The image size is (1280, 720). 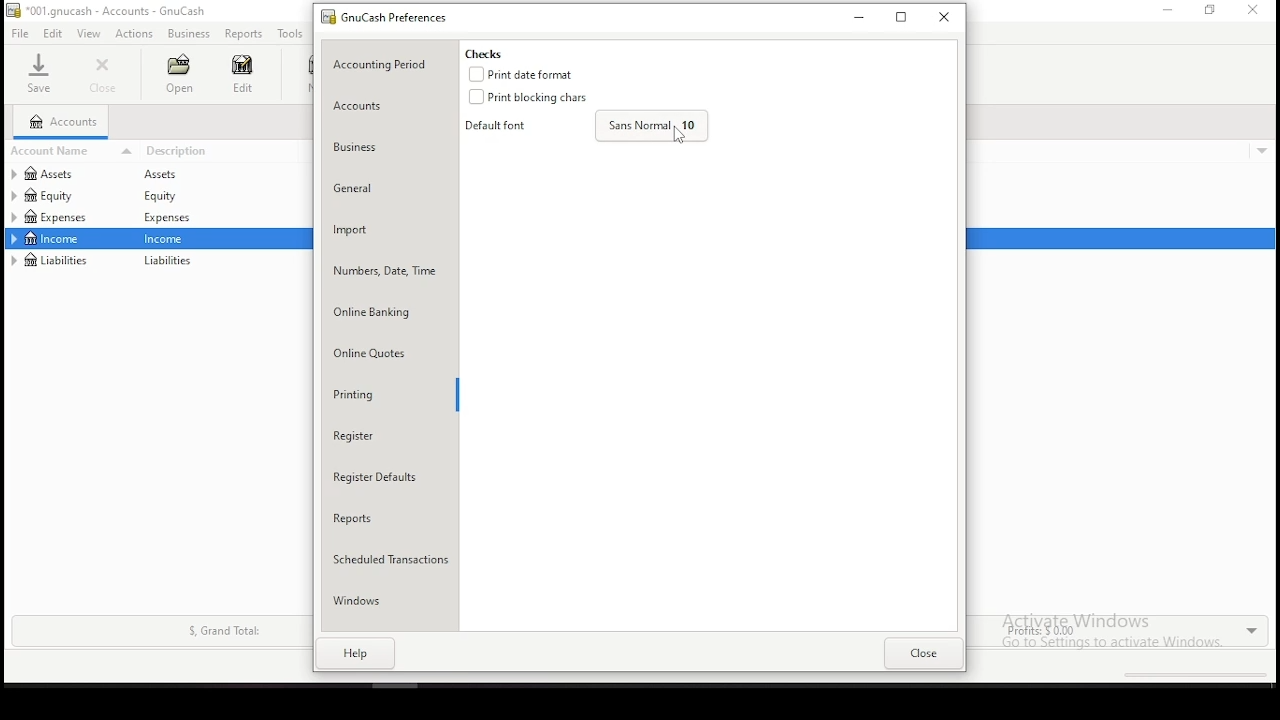 What do you see at coordinates (38, 73) in the screenshot?
I see `save` at bounding box center [38, 73].